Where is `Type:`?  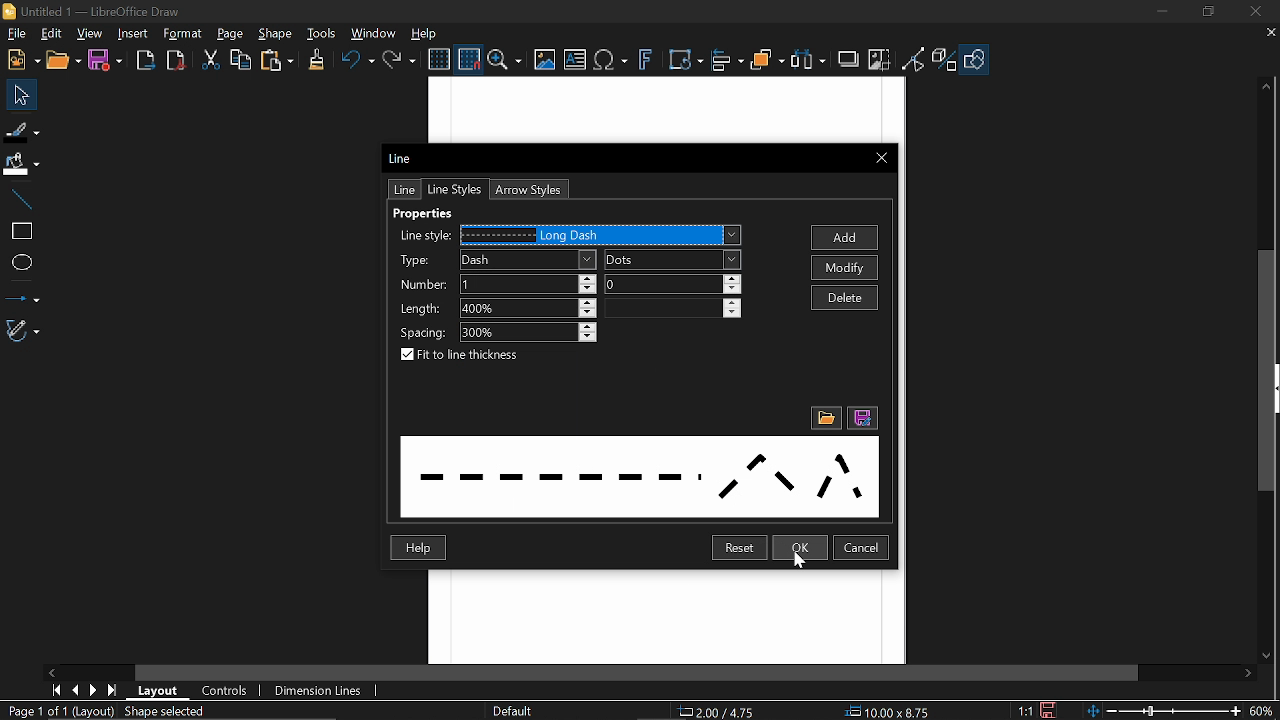
Type: is located at coordinates (417, 260).